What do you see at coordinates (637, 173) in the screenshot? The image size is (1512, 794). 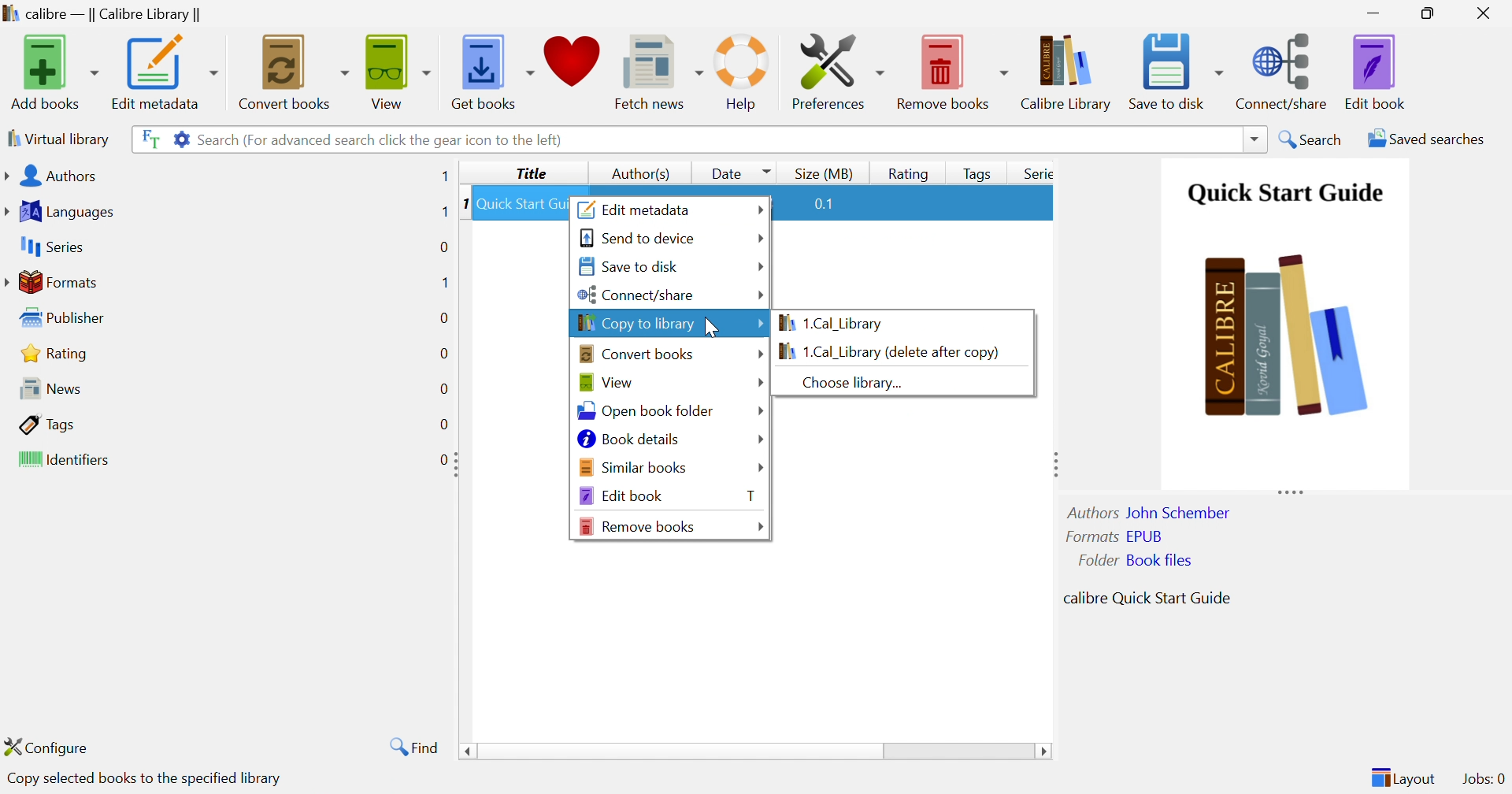 I see `Author(s)` at bounding box center [637, 173].